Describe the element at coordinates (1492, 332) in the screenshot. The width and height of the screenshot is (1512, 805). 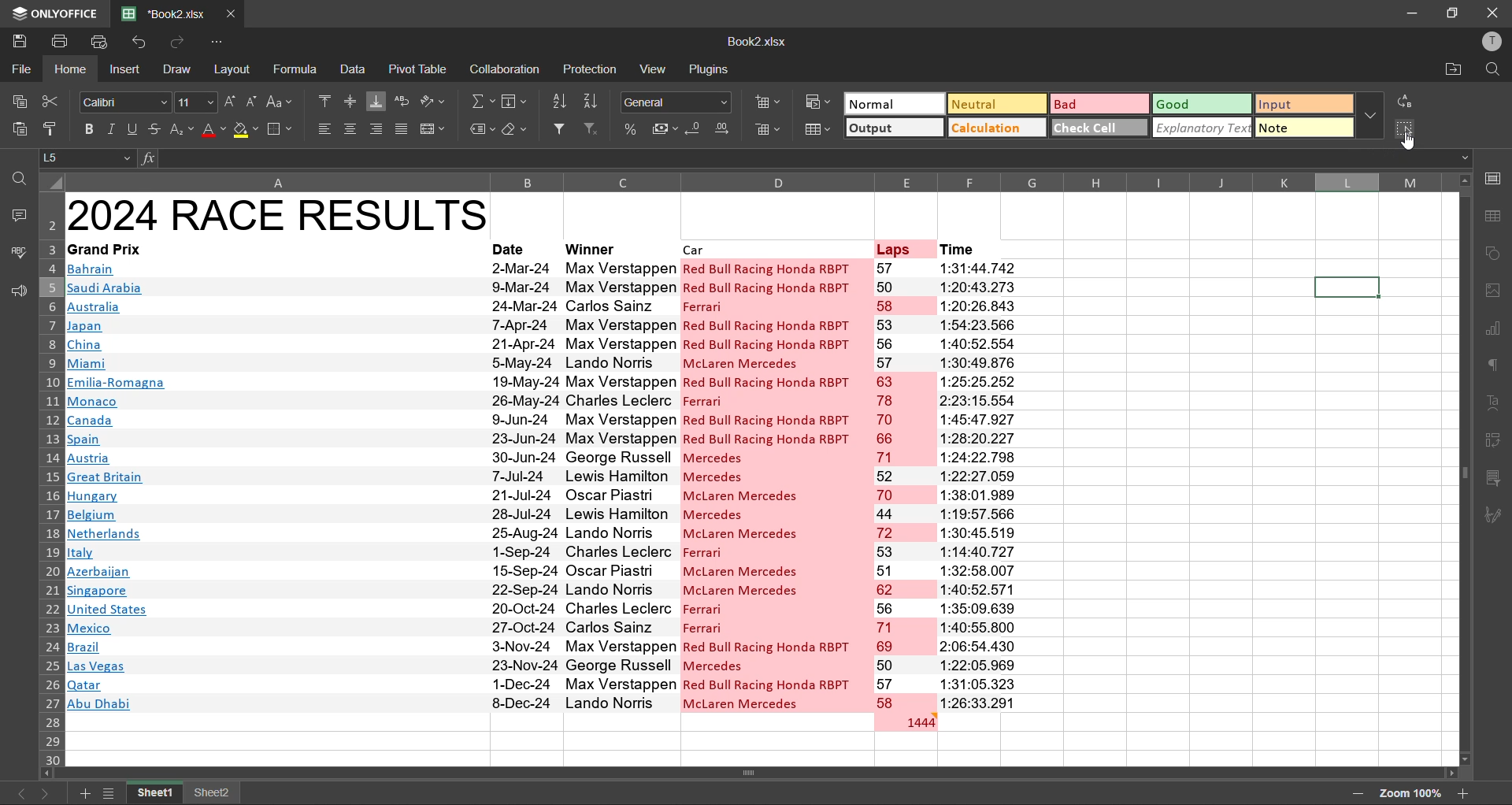
I see `charts` at that location.